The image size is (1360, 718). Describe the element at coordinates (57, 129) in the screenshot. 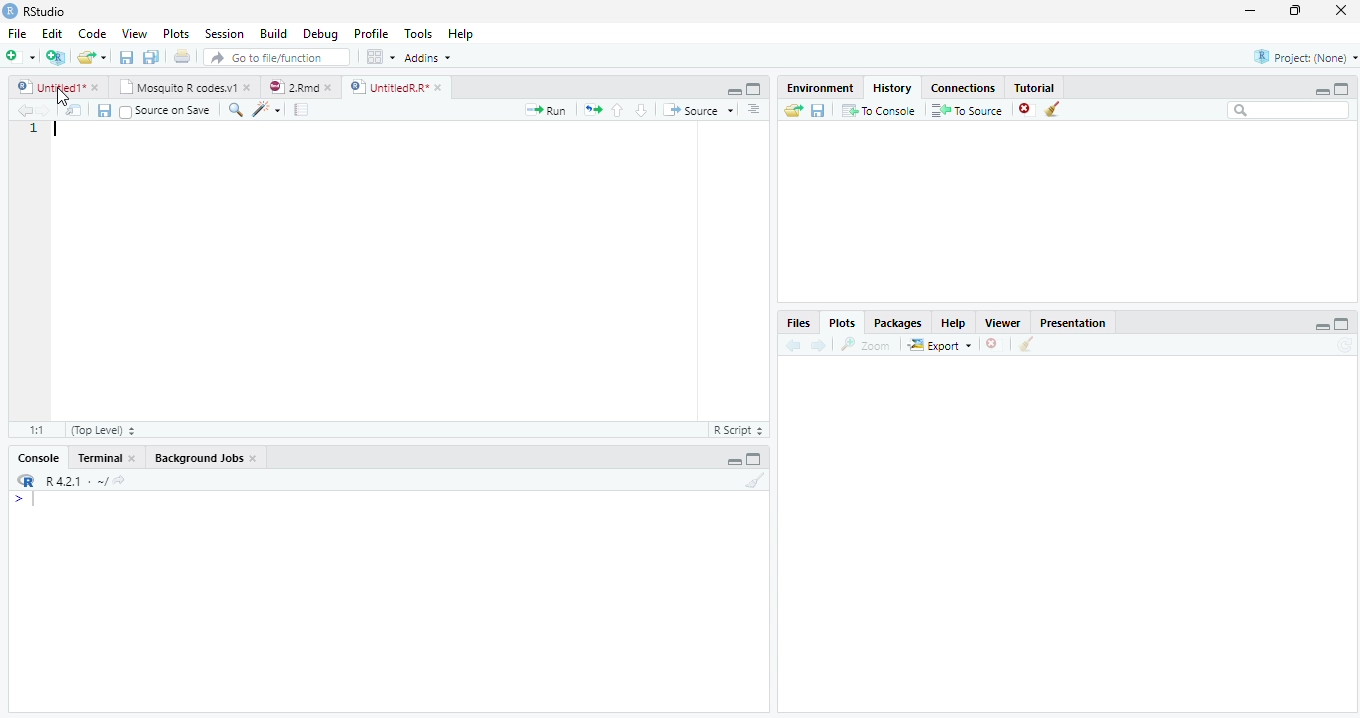

I see `Cursor` at that location.